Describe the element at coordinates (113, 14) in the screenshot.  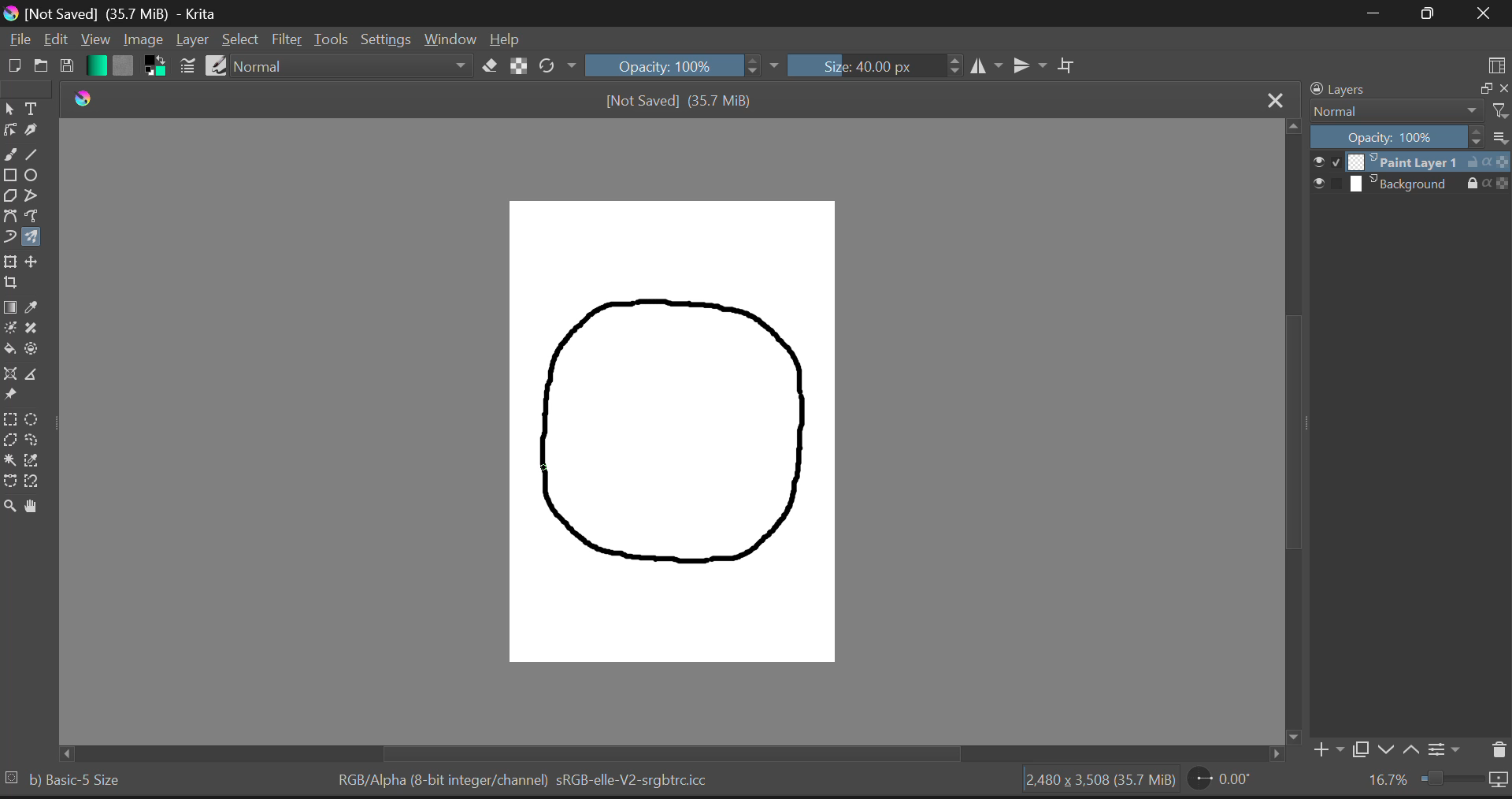
I see `[Not Saved] (35.7 MiB) - Krita` at that location.